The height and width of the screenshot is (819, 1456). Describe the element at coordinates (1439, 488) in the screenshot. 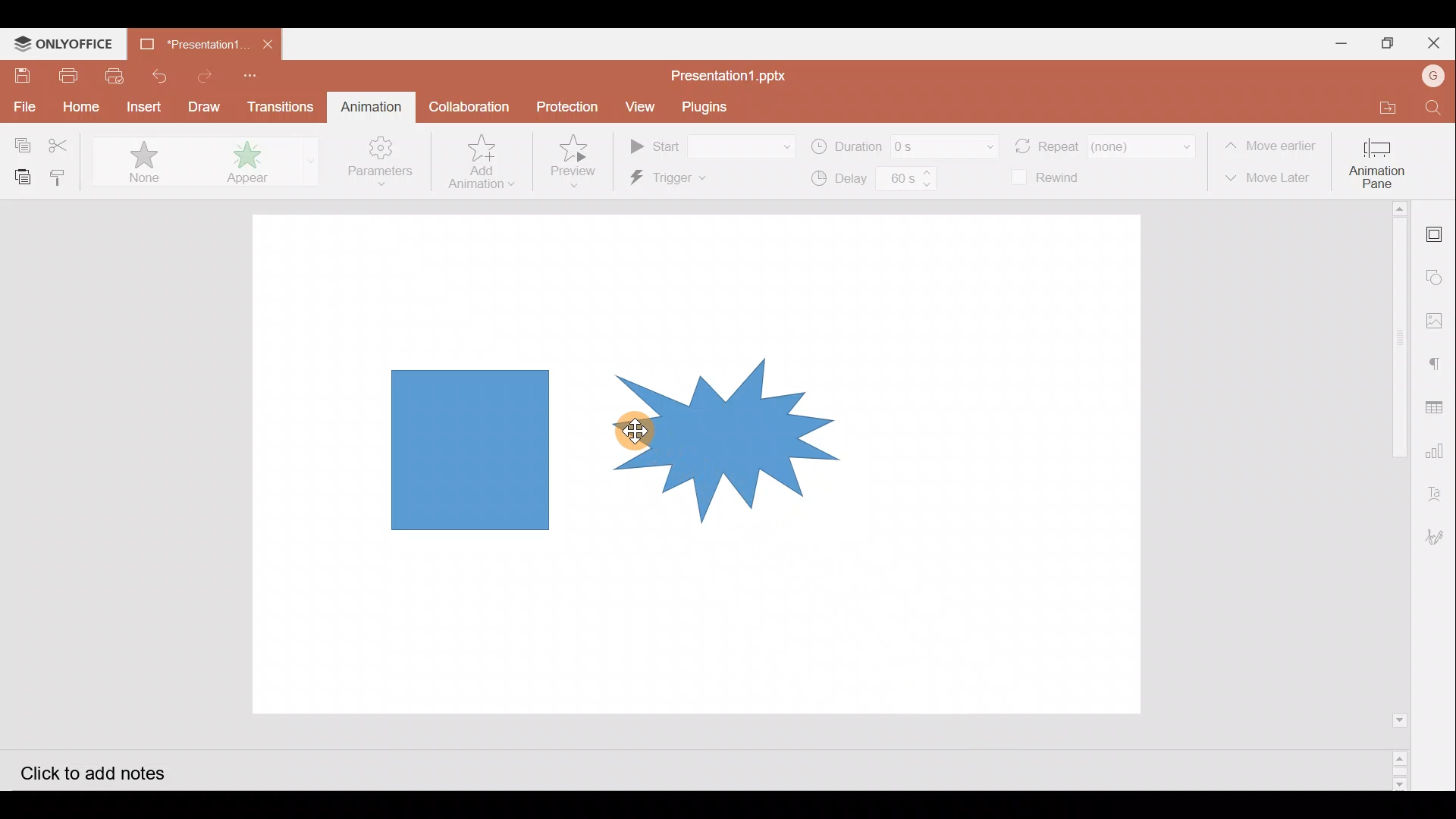

I see `Text Art settings` at that location.